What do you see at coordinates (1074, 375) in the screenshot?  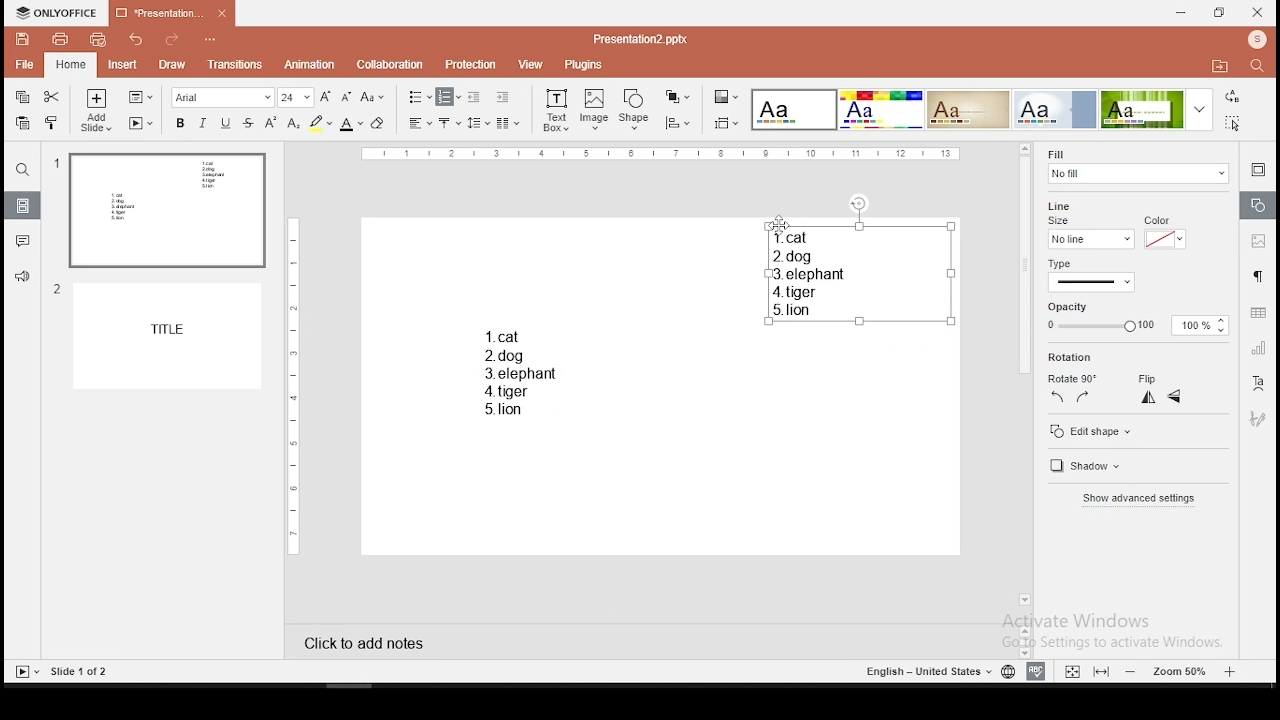 I see `rotate 90` at bounding box center [1074, 375].